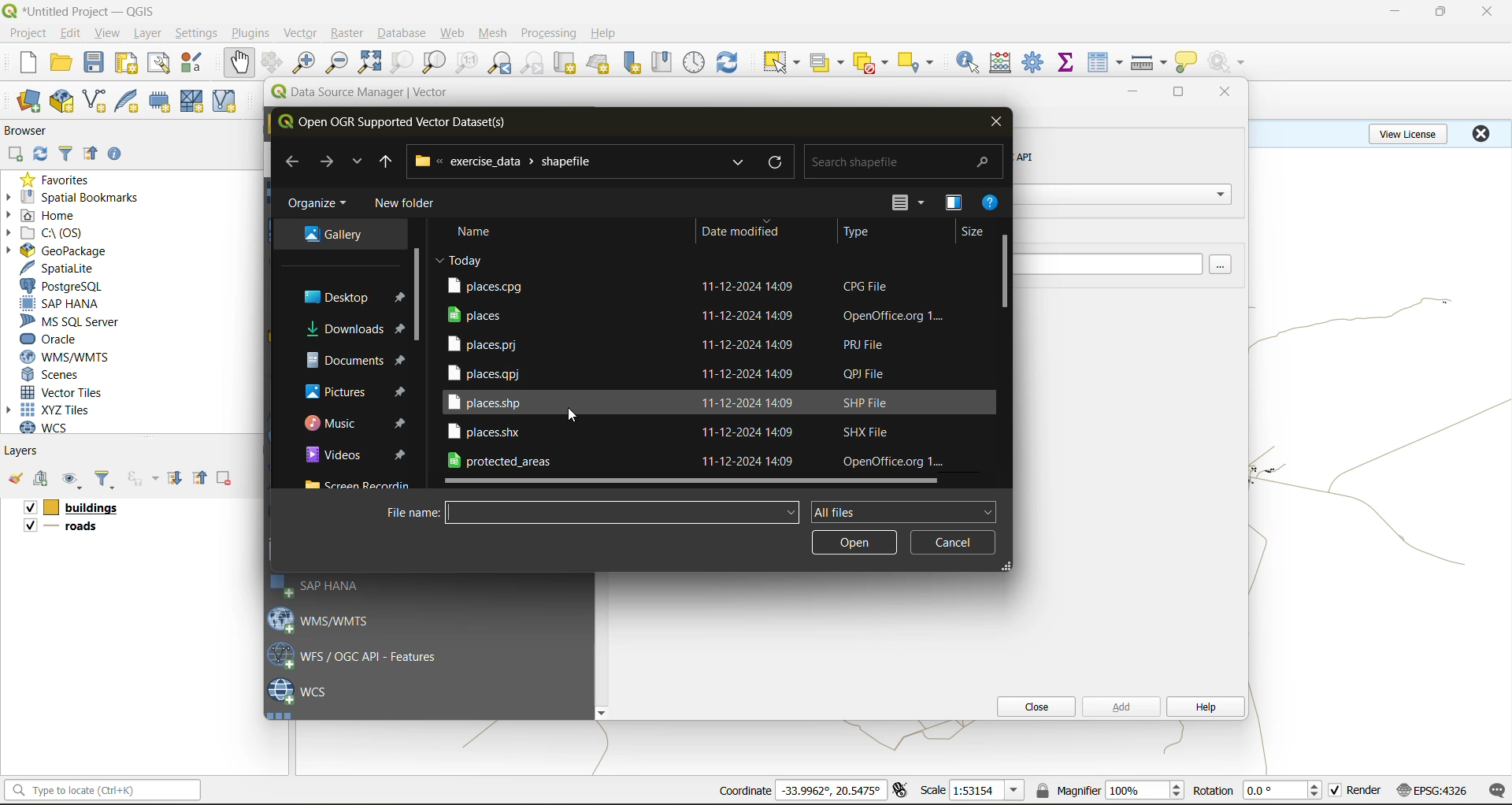 The width and height of the screenshot is (1512, 805). Describe the element at coordinates (728, 65) in the screenshot. I see `refresh` at that location.